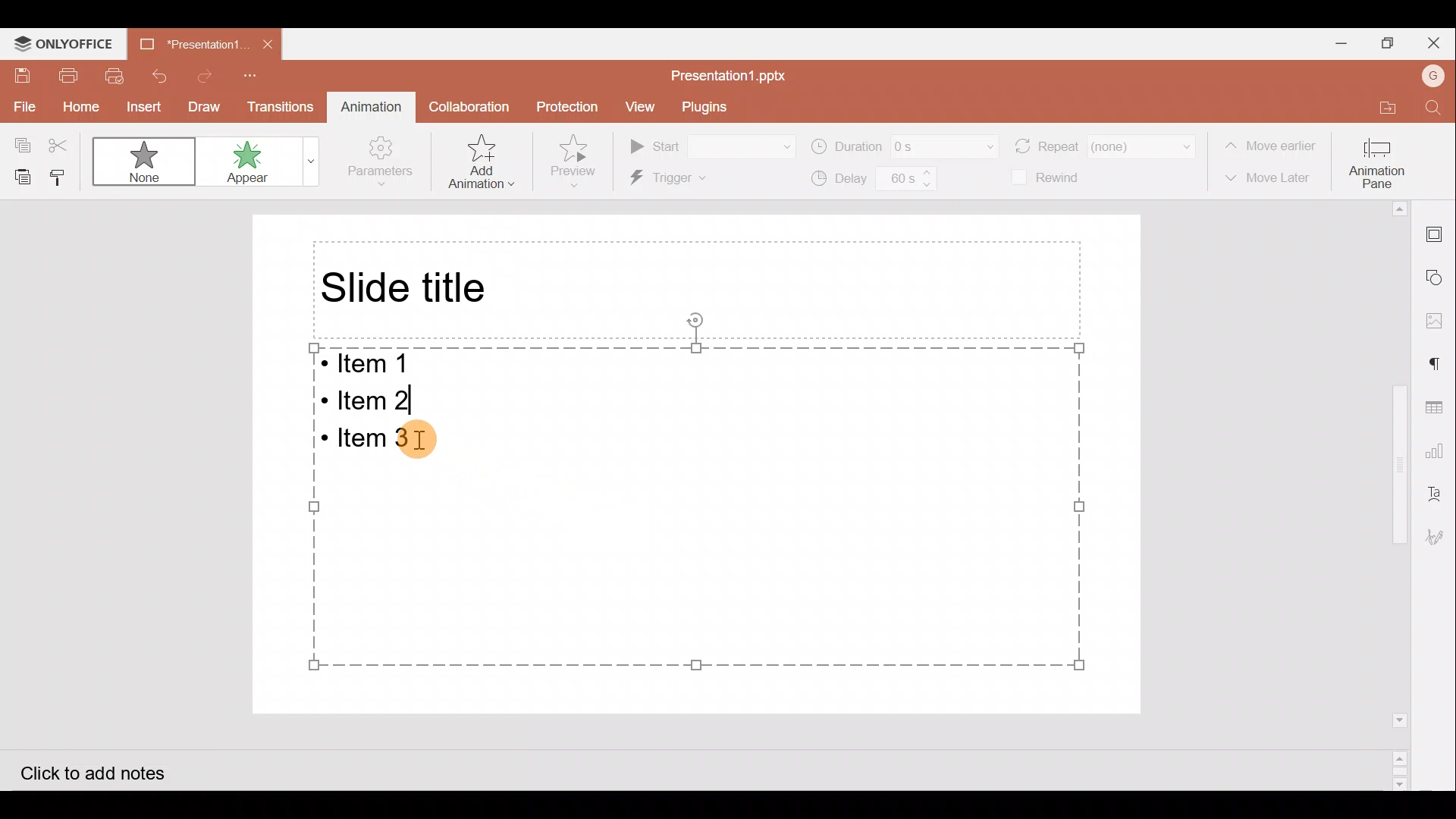 Image resolution: width=1456 pixels, height=819 pixels. What do you see at coordinates (1271, 142) in the screenshot?
I see `Move earlier` at bounding box center [1271, 142].